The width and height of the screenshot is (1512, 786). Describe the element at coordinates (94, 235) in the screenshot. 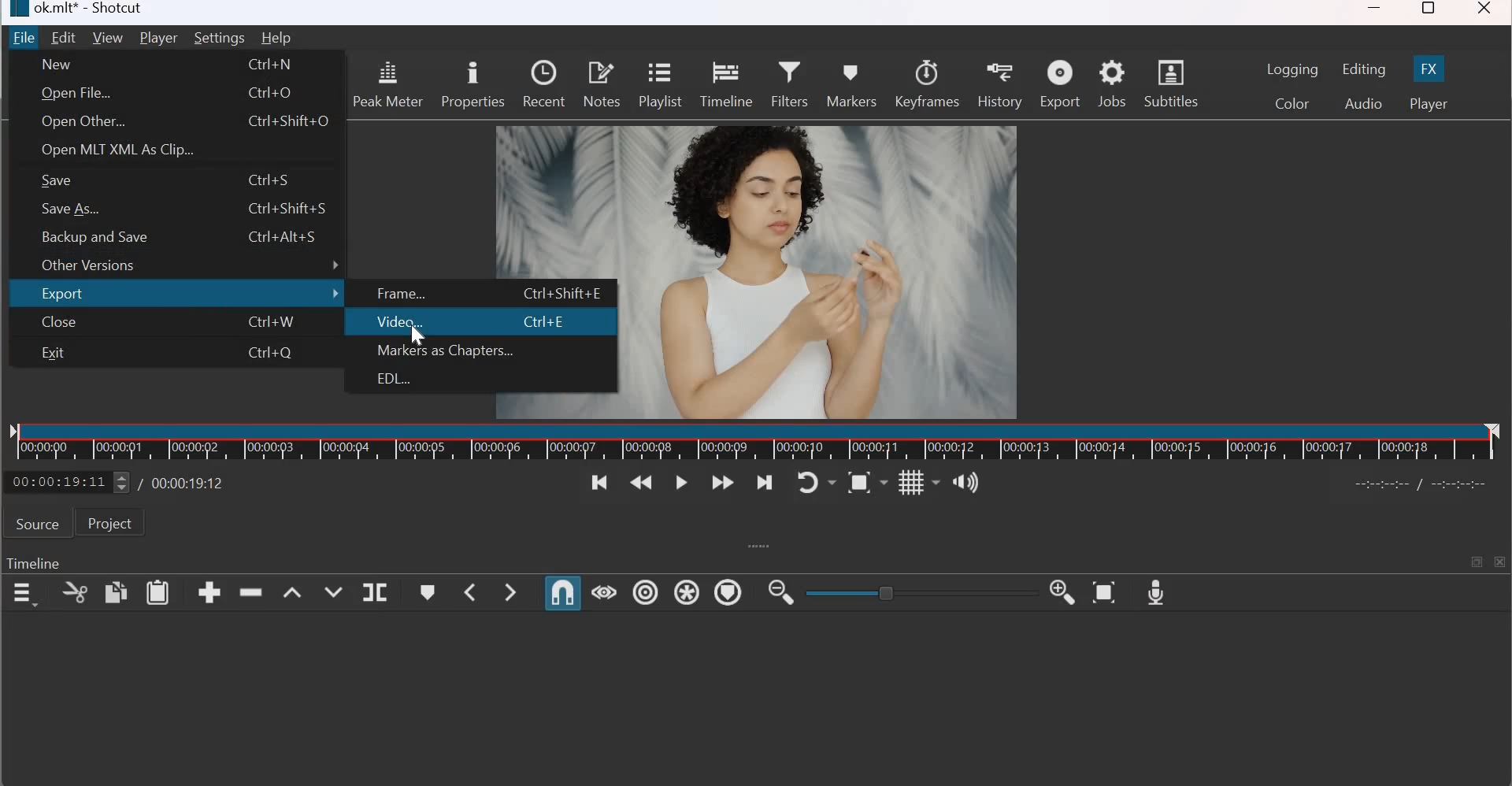

I see `Backup and save` at that location.